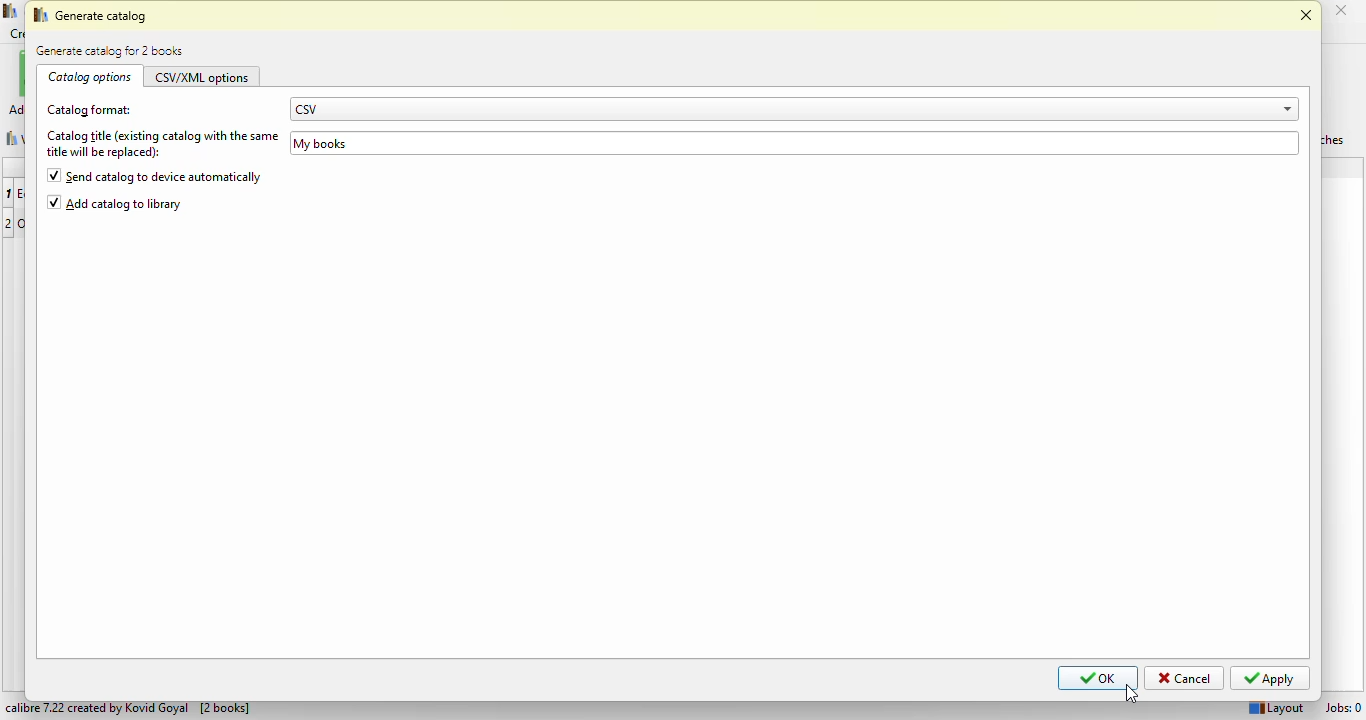 This screenshot has height=720, width=1366. What do you see at coordinates (1185, 678) in the screenshot?
I see `cancel` at bounding box center [1185, 678].